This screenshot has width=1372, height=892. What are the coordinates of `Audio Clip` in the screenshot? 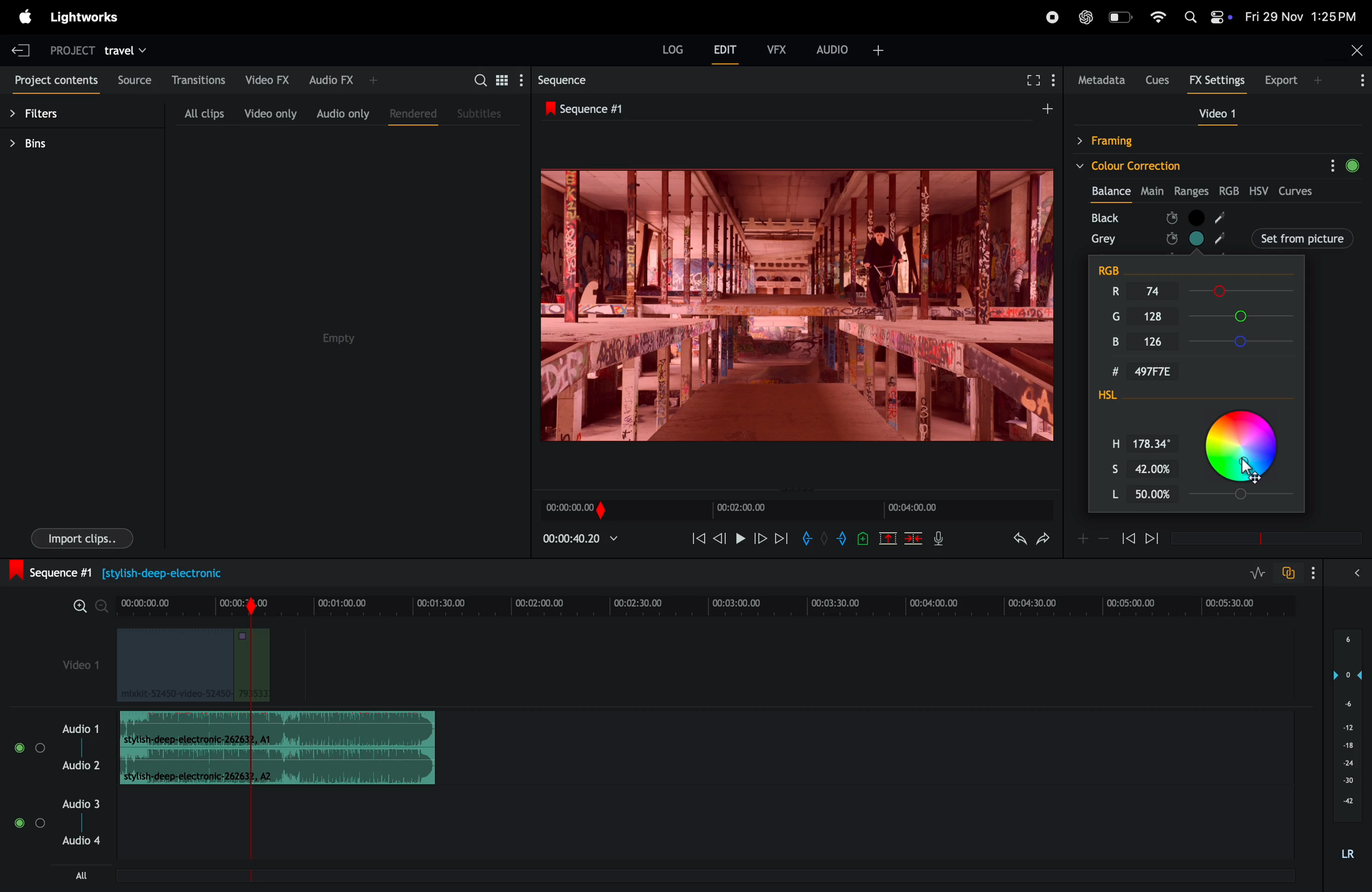 It's located at (277, 765).